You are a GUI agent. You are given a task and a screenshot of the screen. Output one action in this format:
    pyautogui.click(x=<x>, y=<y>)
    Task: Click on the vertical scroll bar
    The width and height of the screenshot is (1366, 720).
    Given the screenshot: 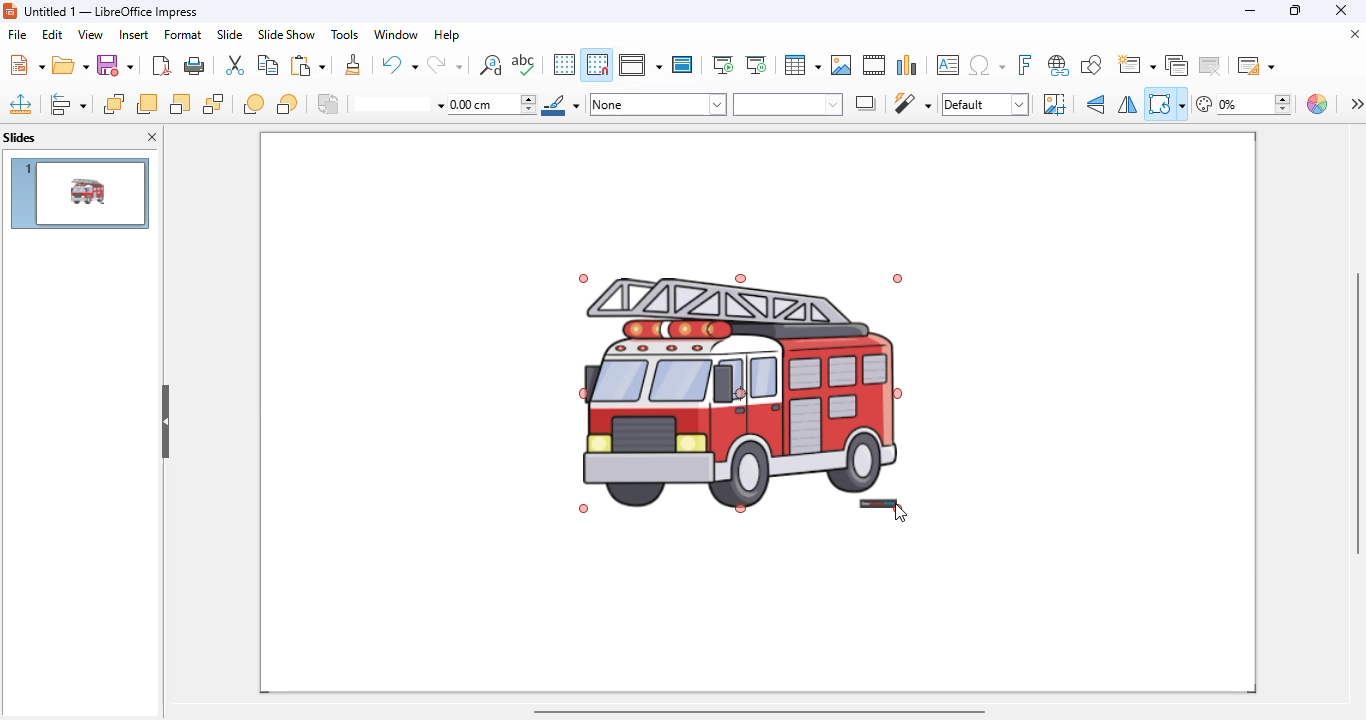 What is the action you would take?
    pyautogui.click(x=1357, y=411)
    